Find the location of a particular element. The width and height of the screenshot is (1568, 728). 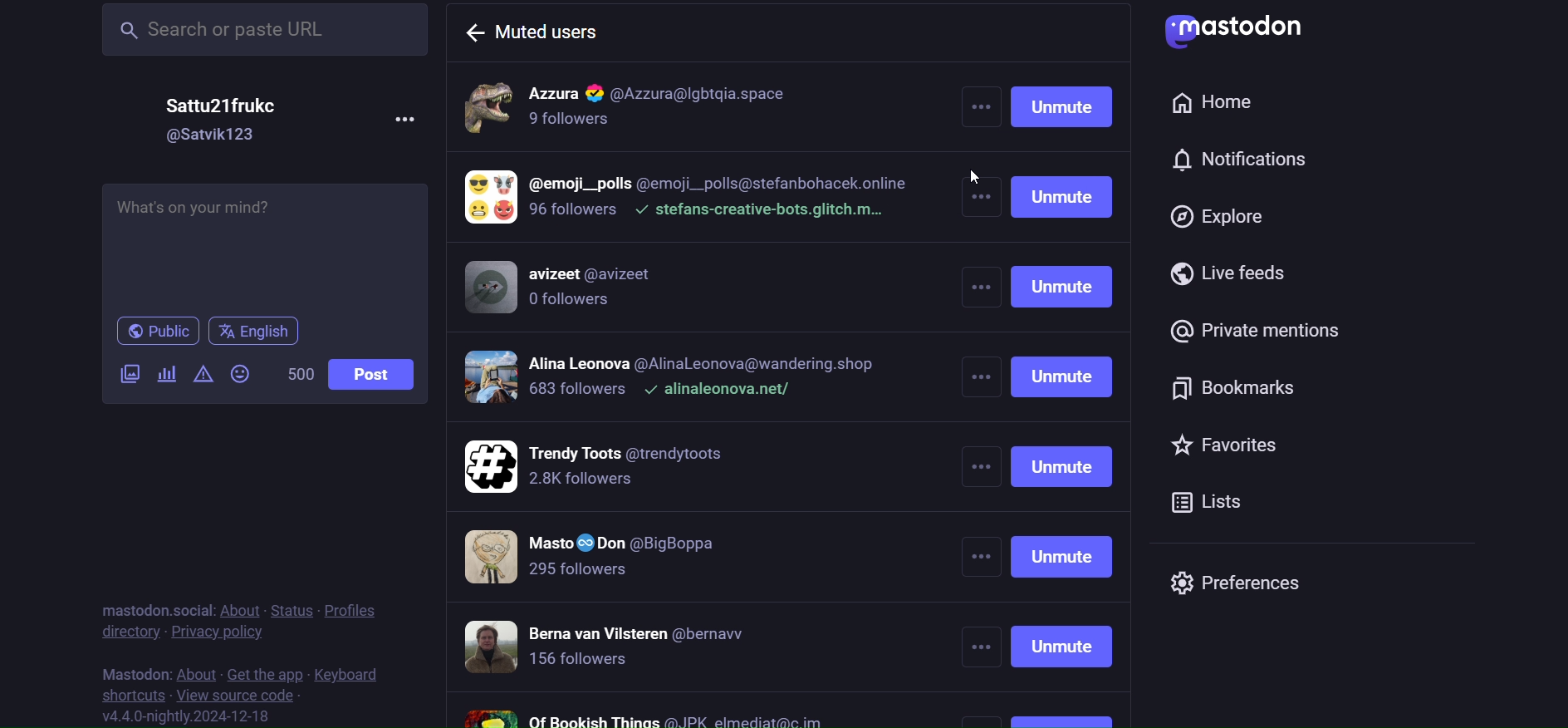

more is located at coordinates (980, 111).